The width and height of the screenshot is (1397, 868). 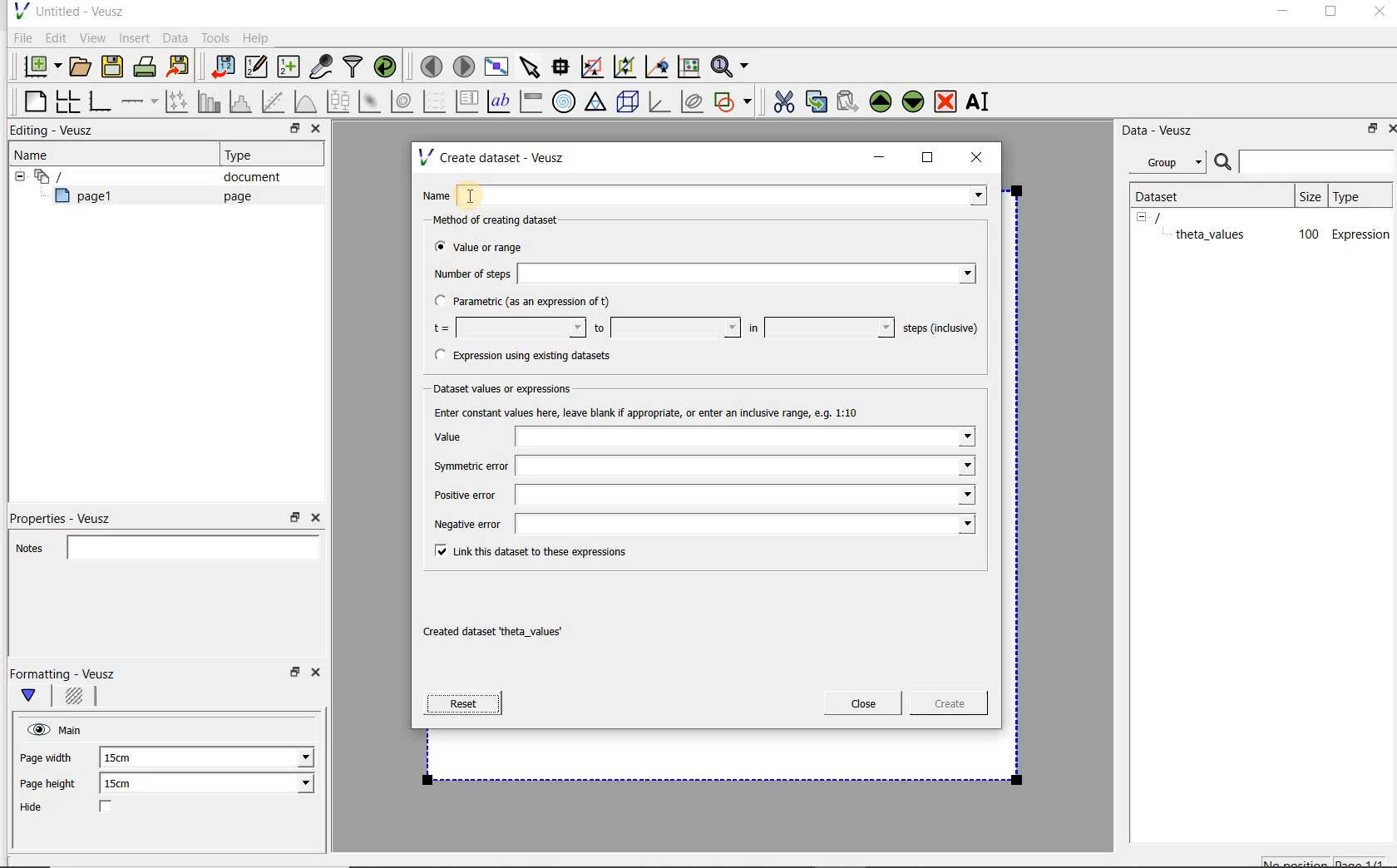 What do you see at coordinates (290, 131) in the screenshot?
I see `restore down` at bounding box center [290, 131].